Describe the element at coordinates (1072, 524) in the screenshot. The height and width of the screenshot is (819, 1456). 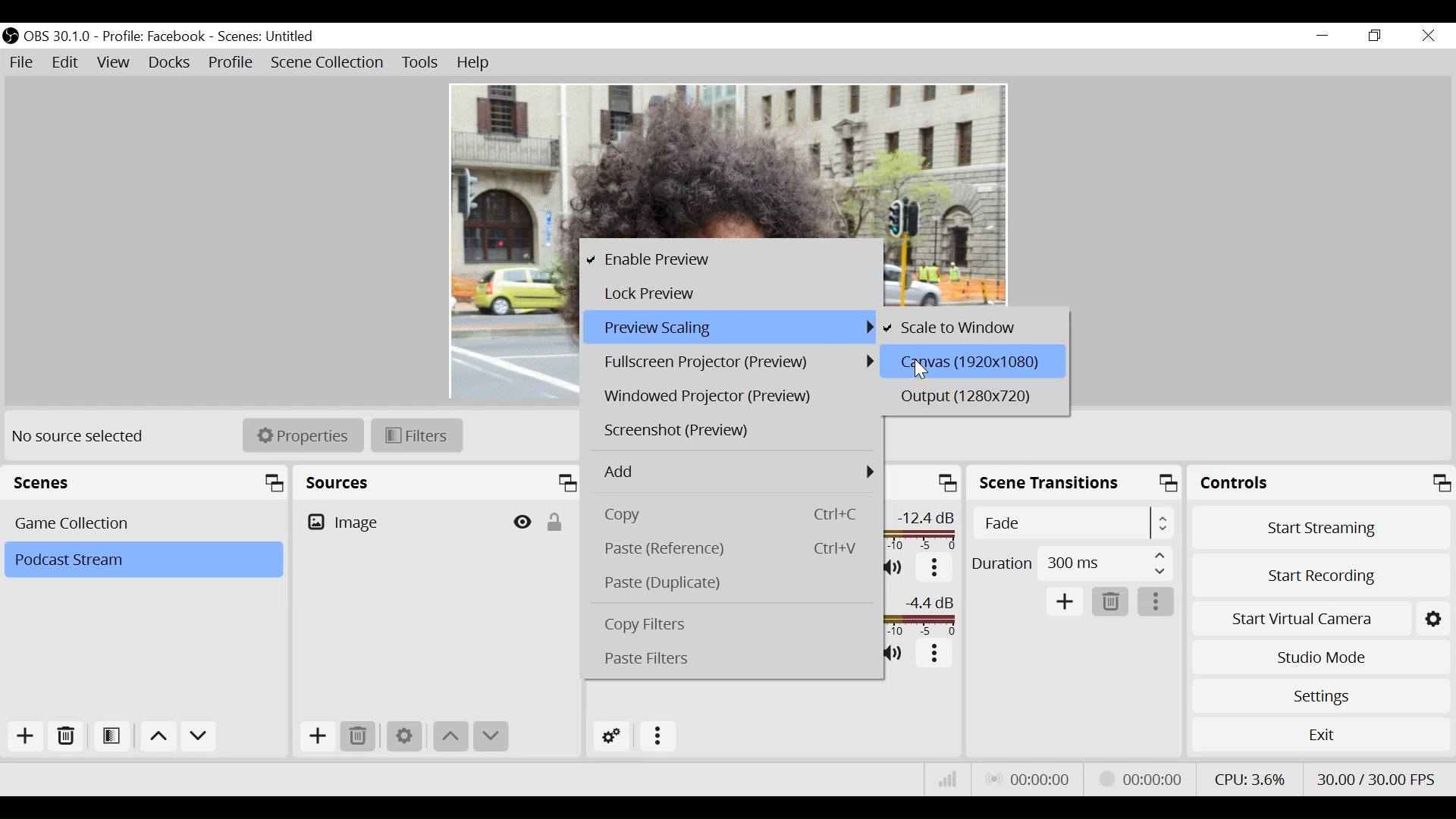
I see `Select Scene Transition` at that location.